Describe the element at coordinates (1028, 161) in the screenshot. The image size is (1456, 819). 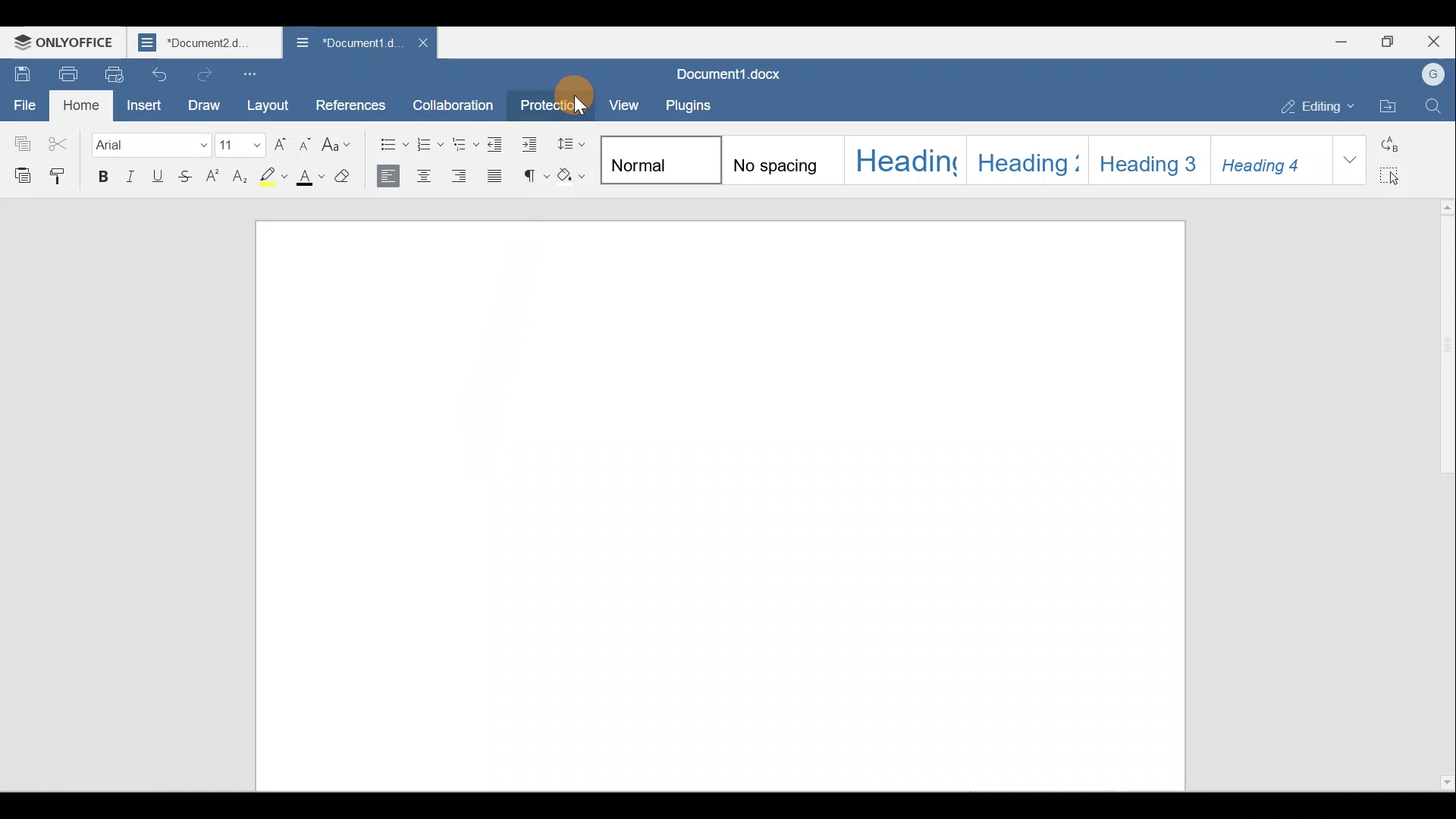
I see `Style 4` at that location.